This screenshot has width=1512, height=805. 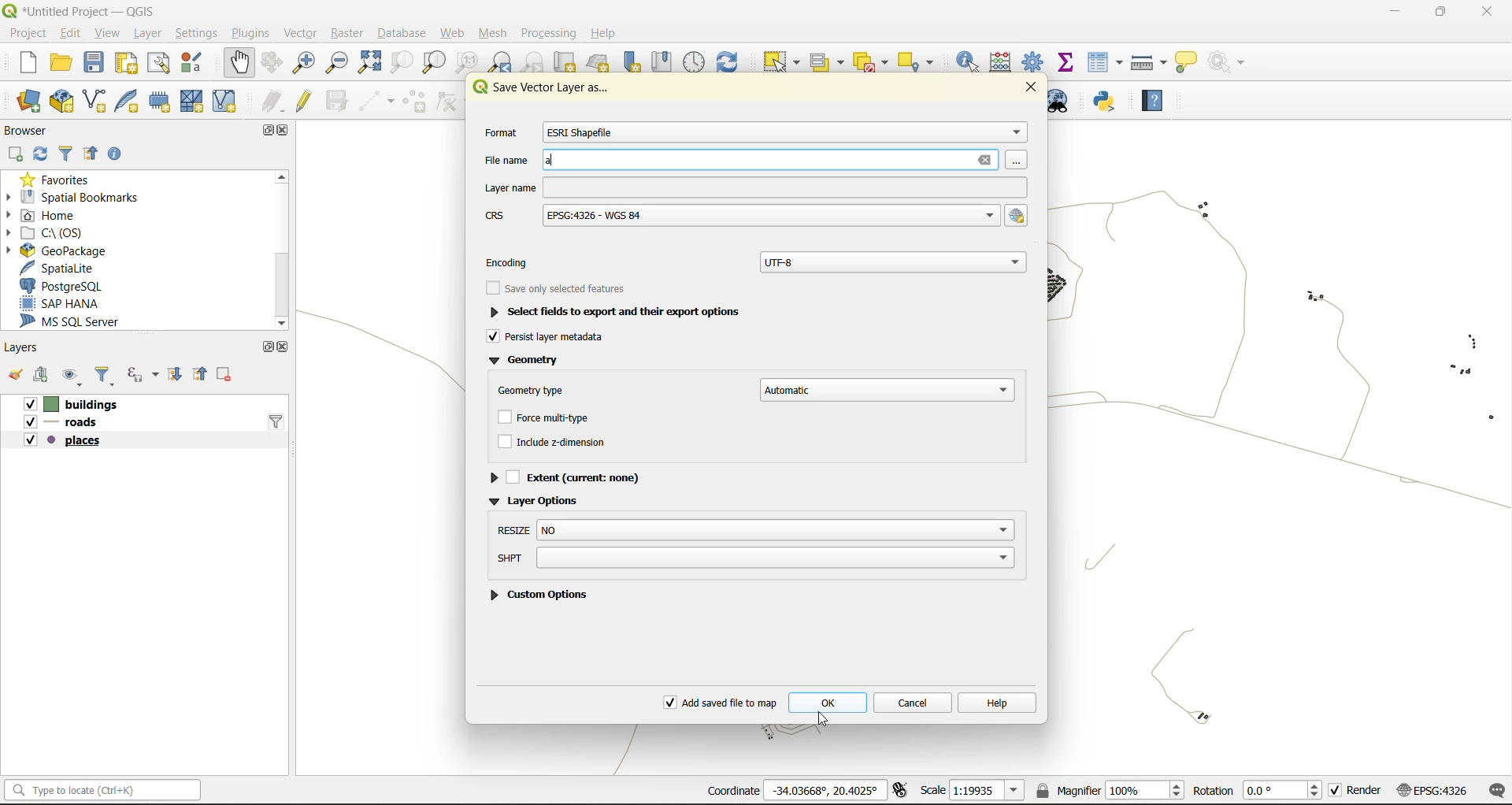 What do you see at coordinates (272, 99) in the screenshot?
I see `edits` at bounding box center [272, 99].